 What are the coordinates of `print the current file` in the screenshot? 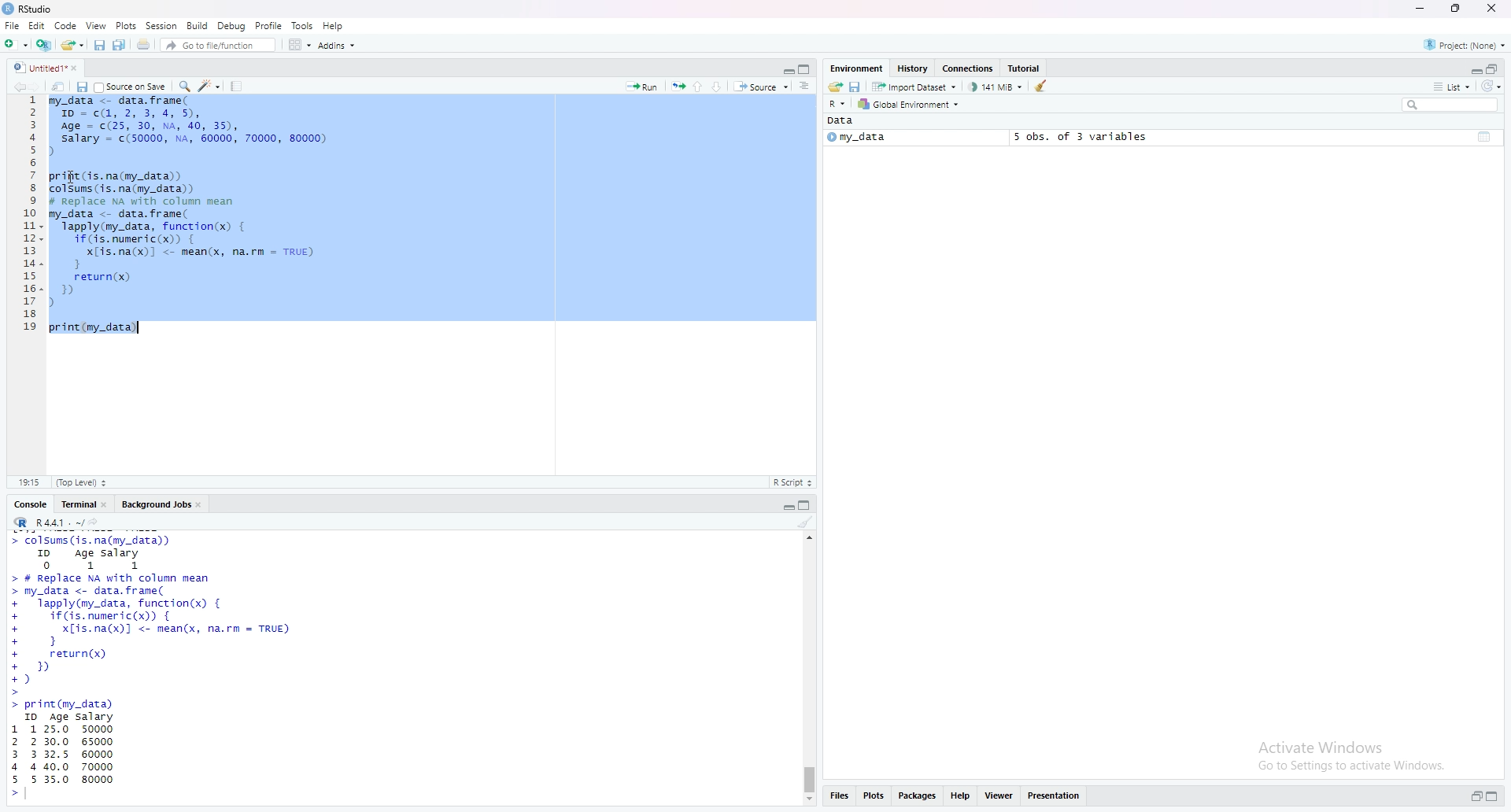 It's located at (144, 45).